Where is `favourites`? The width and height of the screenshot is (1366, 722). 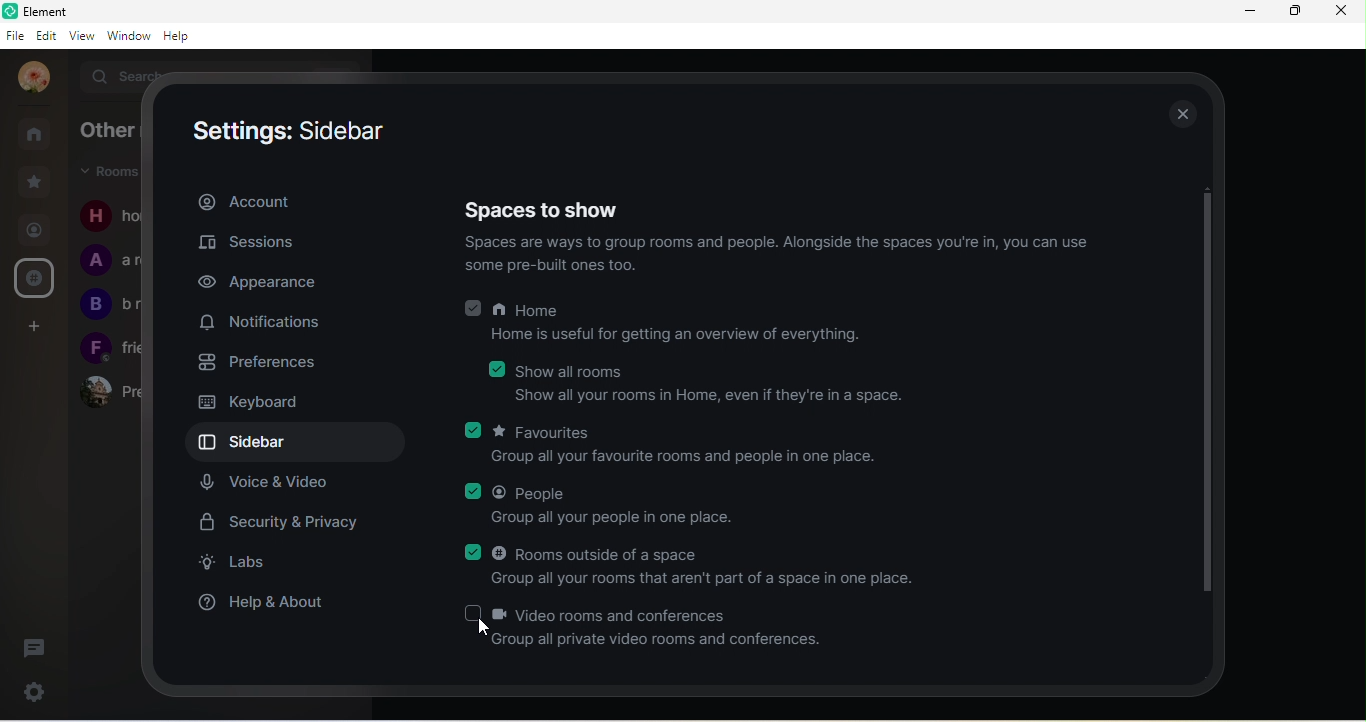
favourites is located at coordinates (36, 180).